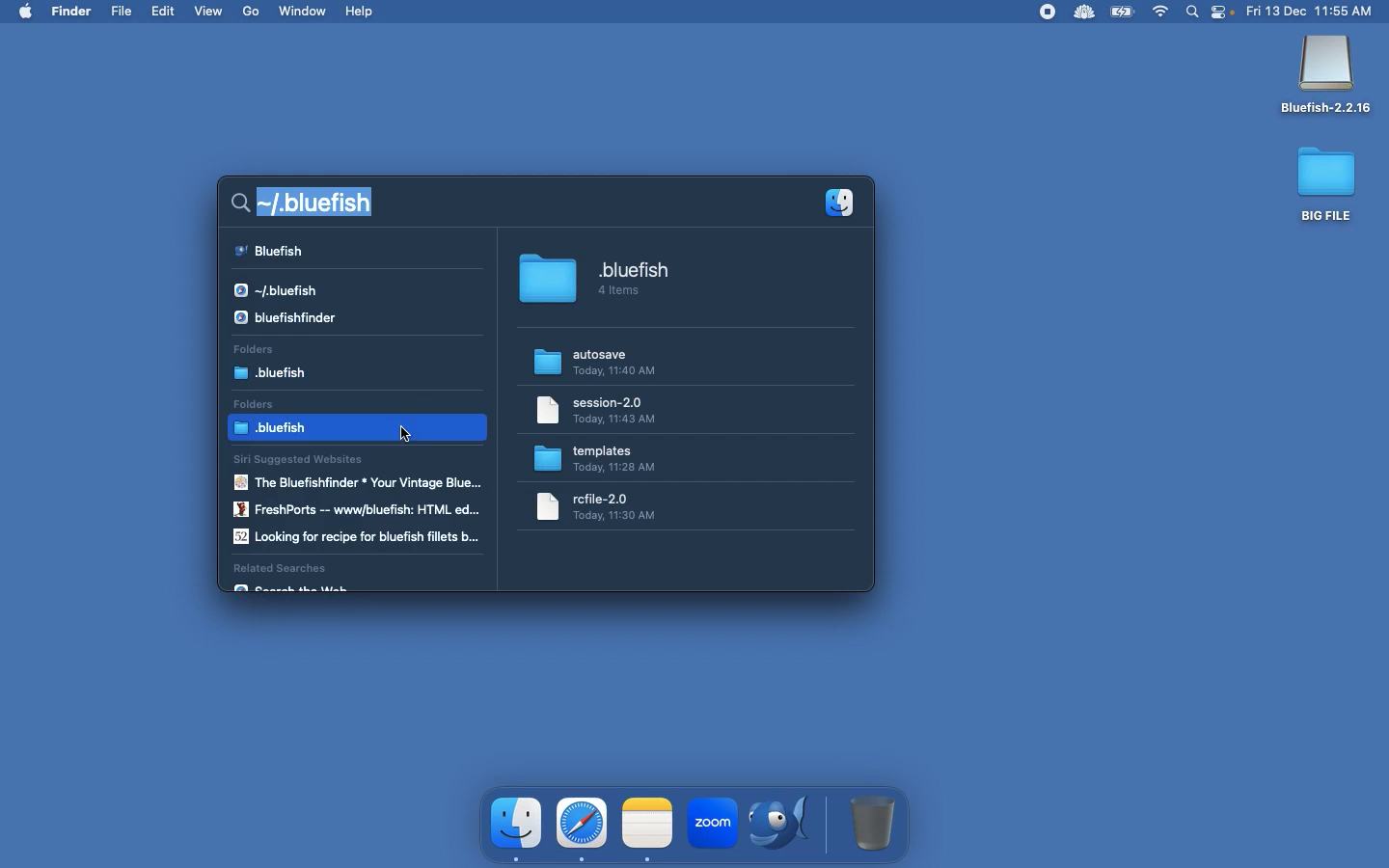 The height and width of the screenshot is (868, 1389). I want to click on Date time, so click(1316, 11).